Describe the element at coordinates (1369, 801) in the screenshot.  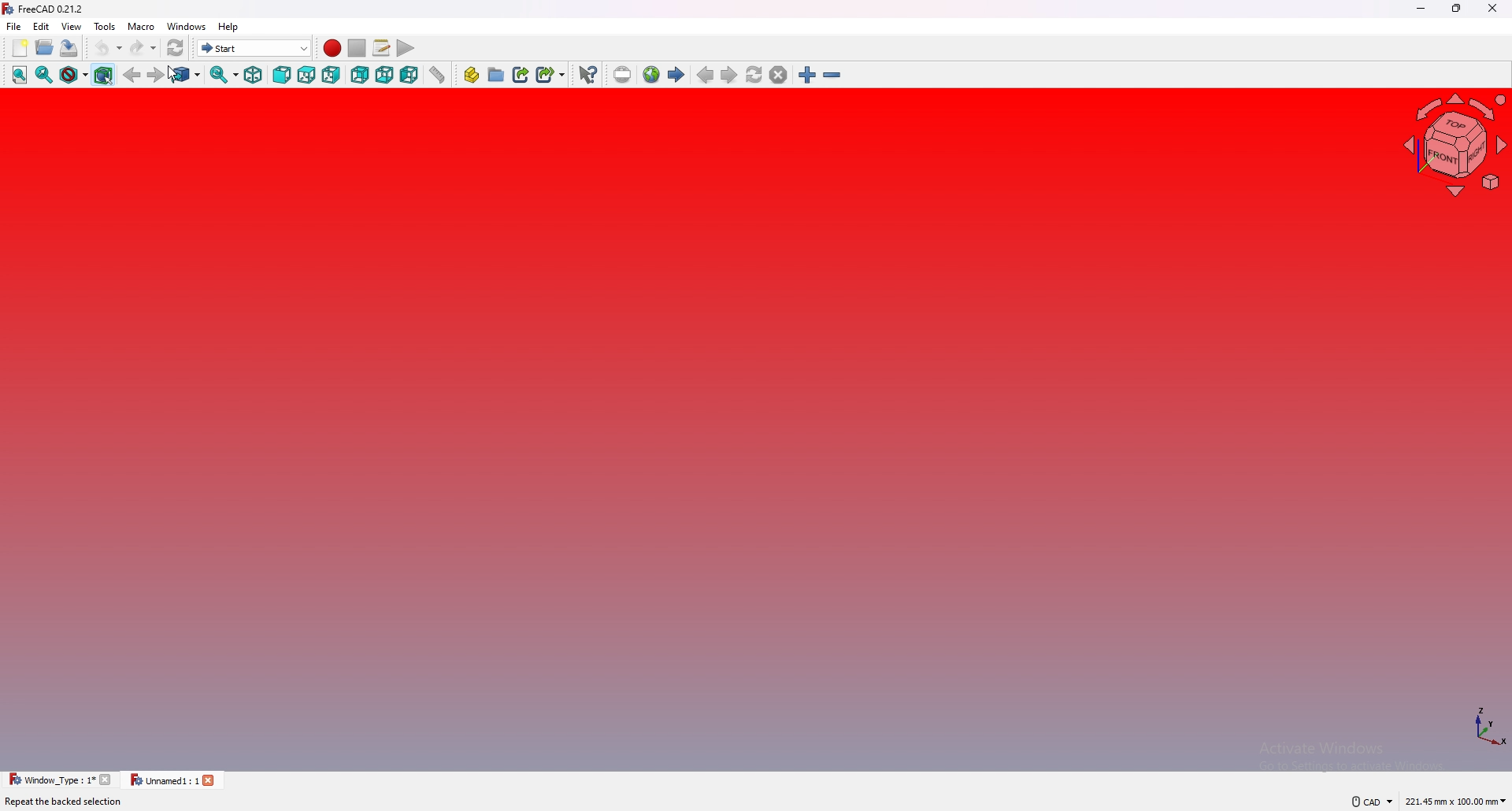
I see `CAD` at that location.